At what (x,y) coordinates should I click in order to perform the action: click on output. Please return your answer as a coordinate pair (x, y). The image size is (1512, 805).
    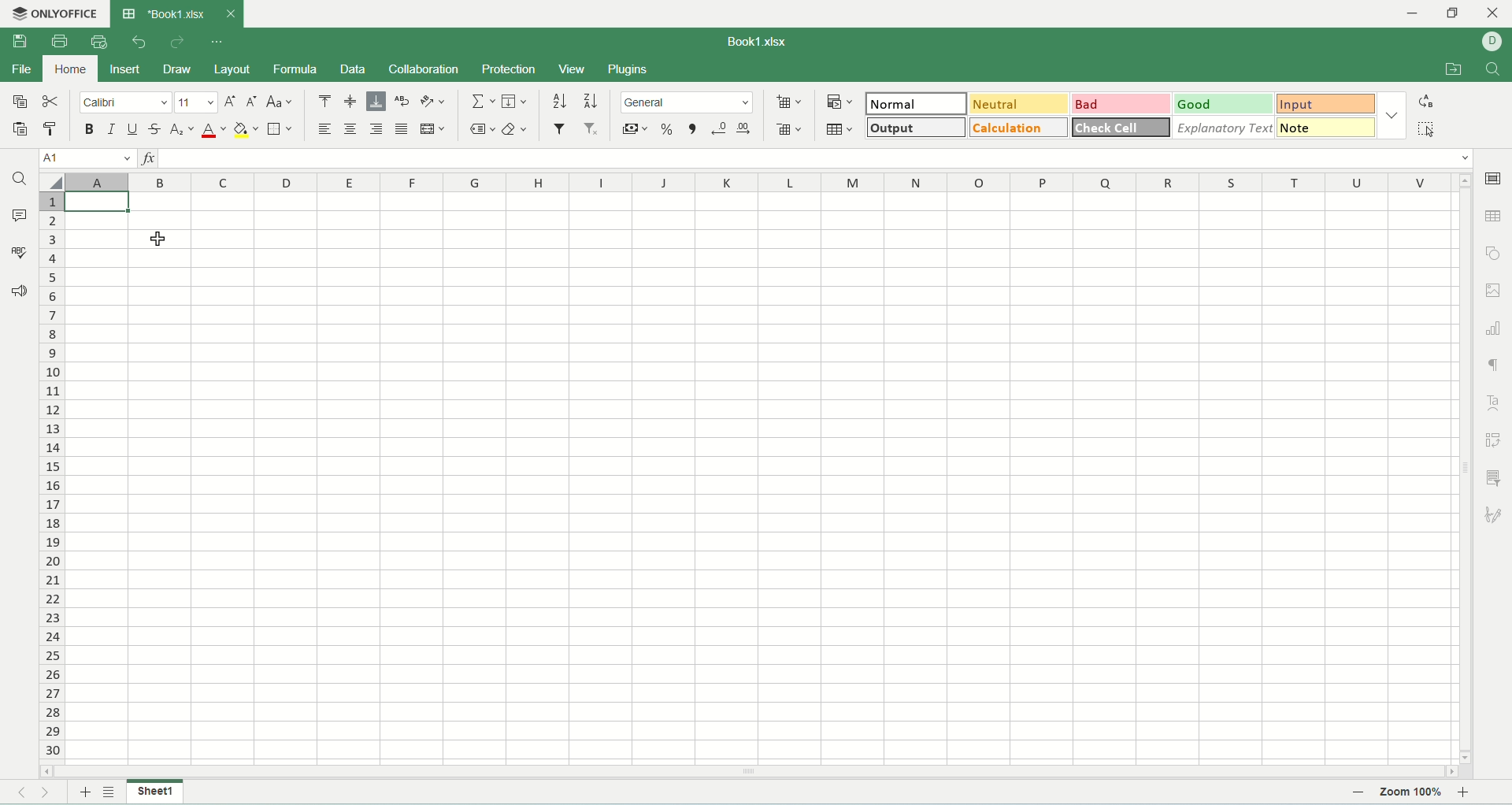
    Looking at the image, I should click on (916, 128).